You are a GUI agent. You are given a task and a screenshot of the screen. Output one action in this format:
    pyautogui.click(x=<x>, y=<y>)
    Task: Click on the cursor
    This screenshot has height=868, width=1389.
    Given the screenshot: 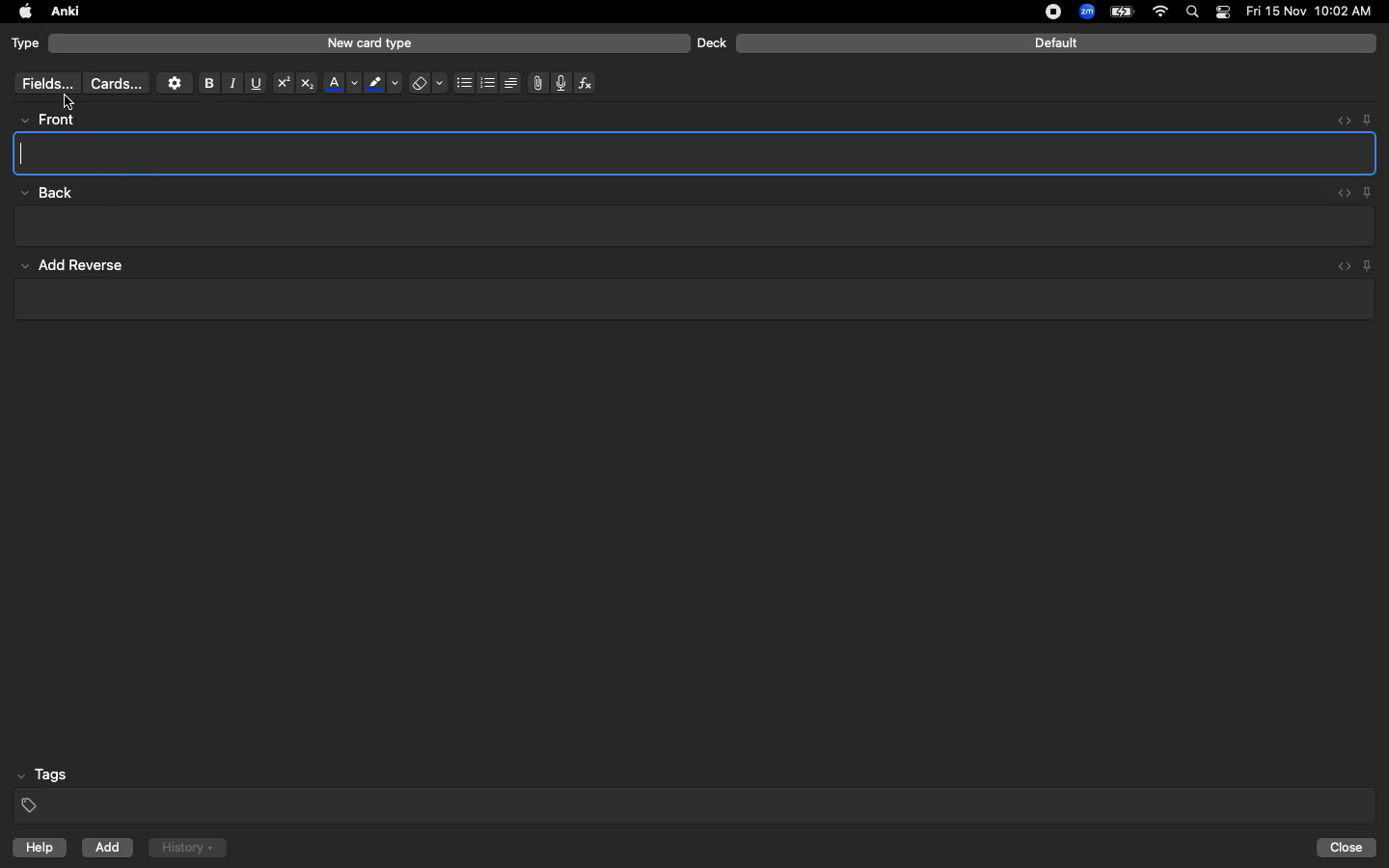 What is the action you would take?
    pyautogui.click(x=70, y=102)
    